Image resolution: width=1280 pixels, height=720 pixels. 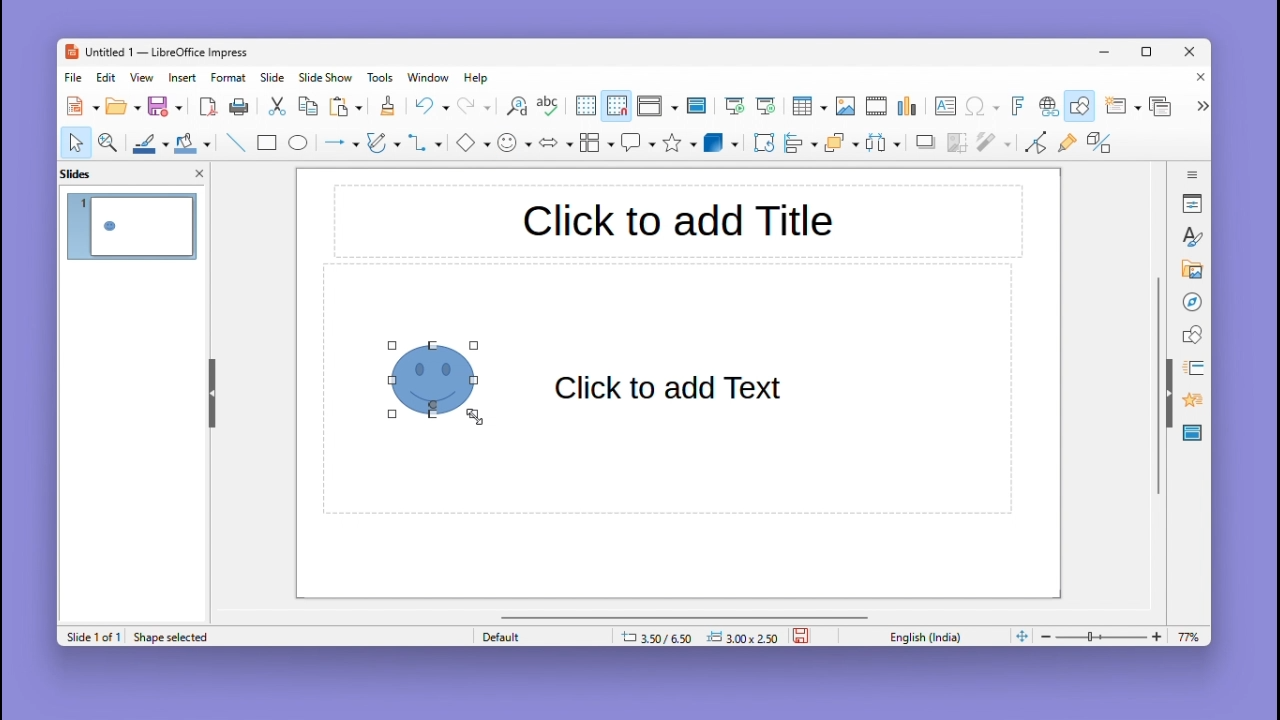 I want to click on save, so click(x=803, y=634).